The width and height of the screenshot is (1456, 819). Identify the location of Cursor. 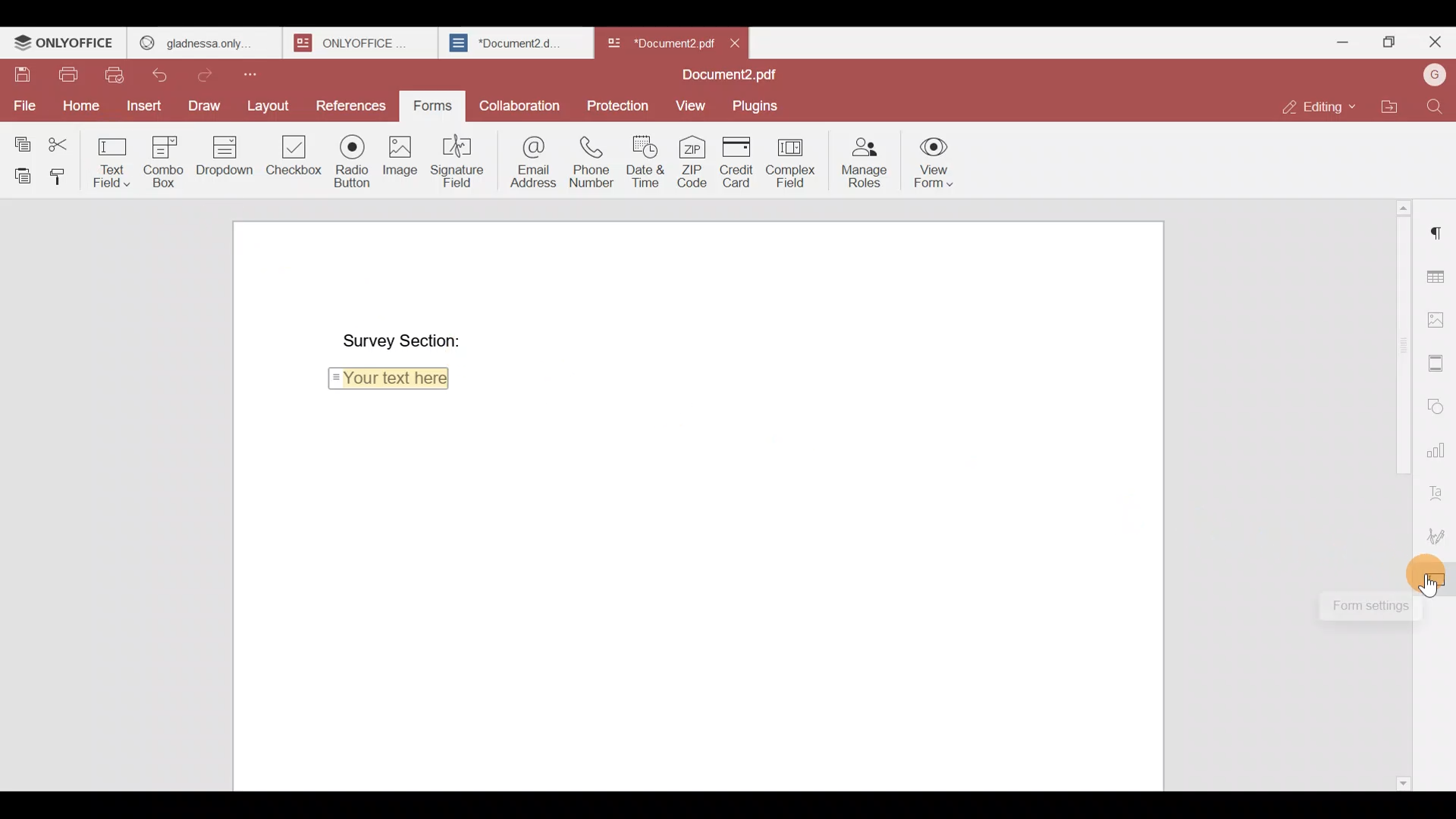
(1435, 587).